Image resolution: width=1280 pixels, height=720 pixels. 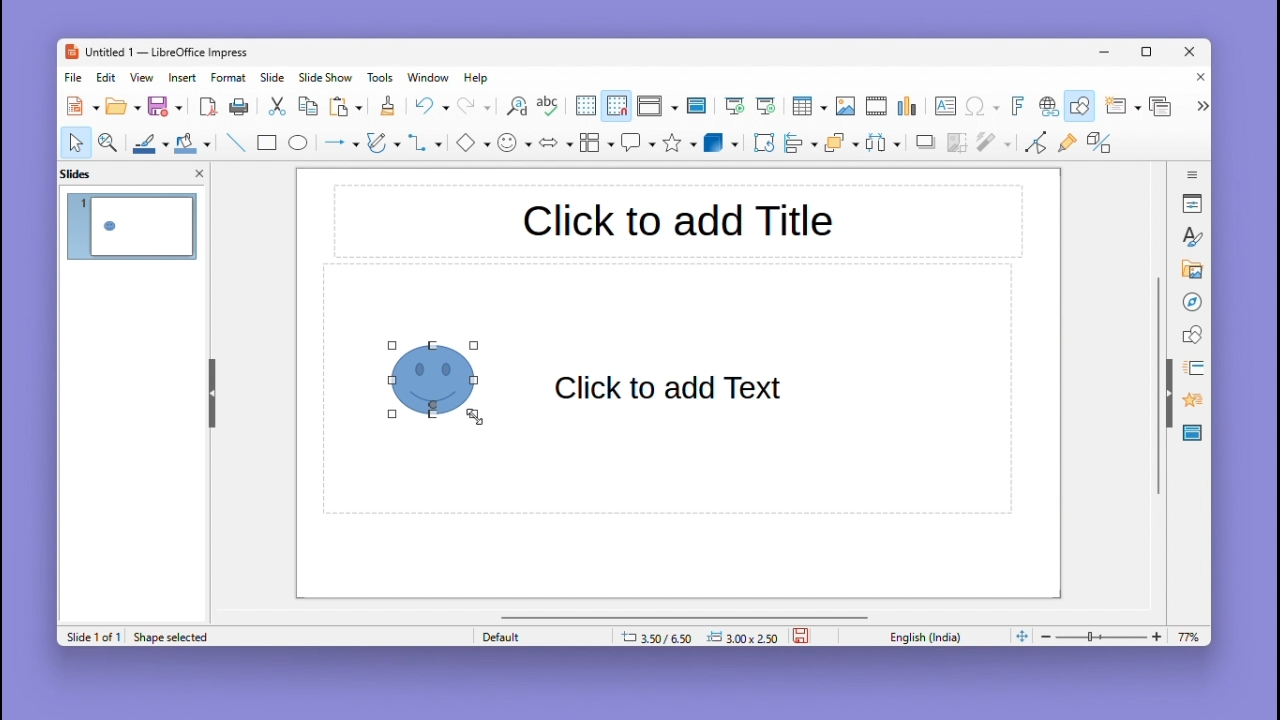 What do you see at coordinates (383, 145) in the screenshot?
I see `pencil` at bounding box center [383, 145].